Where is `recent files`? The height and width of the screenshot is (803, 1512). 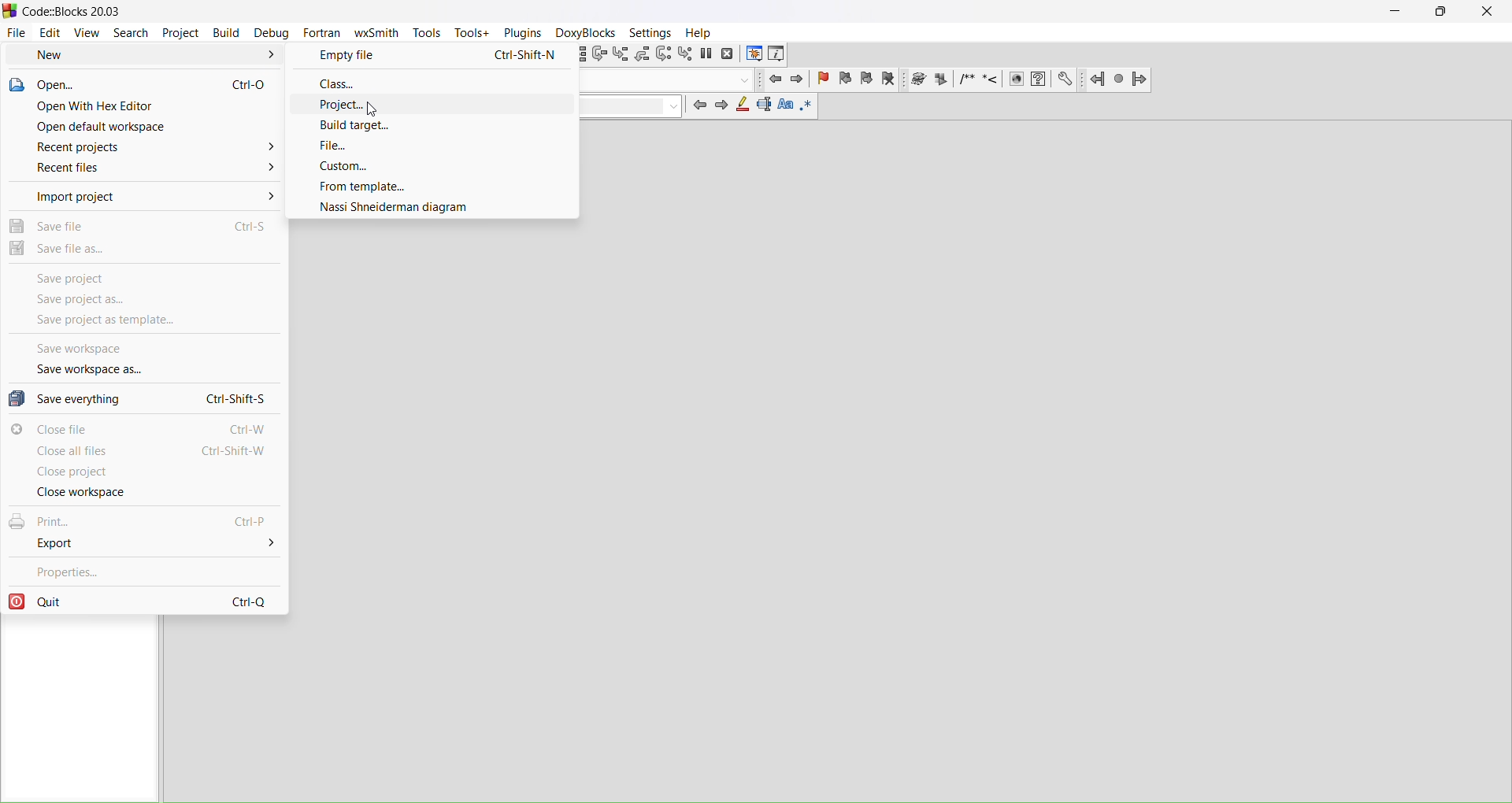 recent files is located at coordinates (139, 168).